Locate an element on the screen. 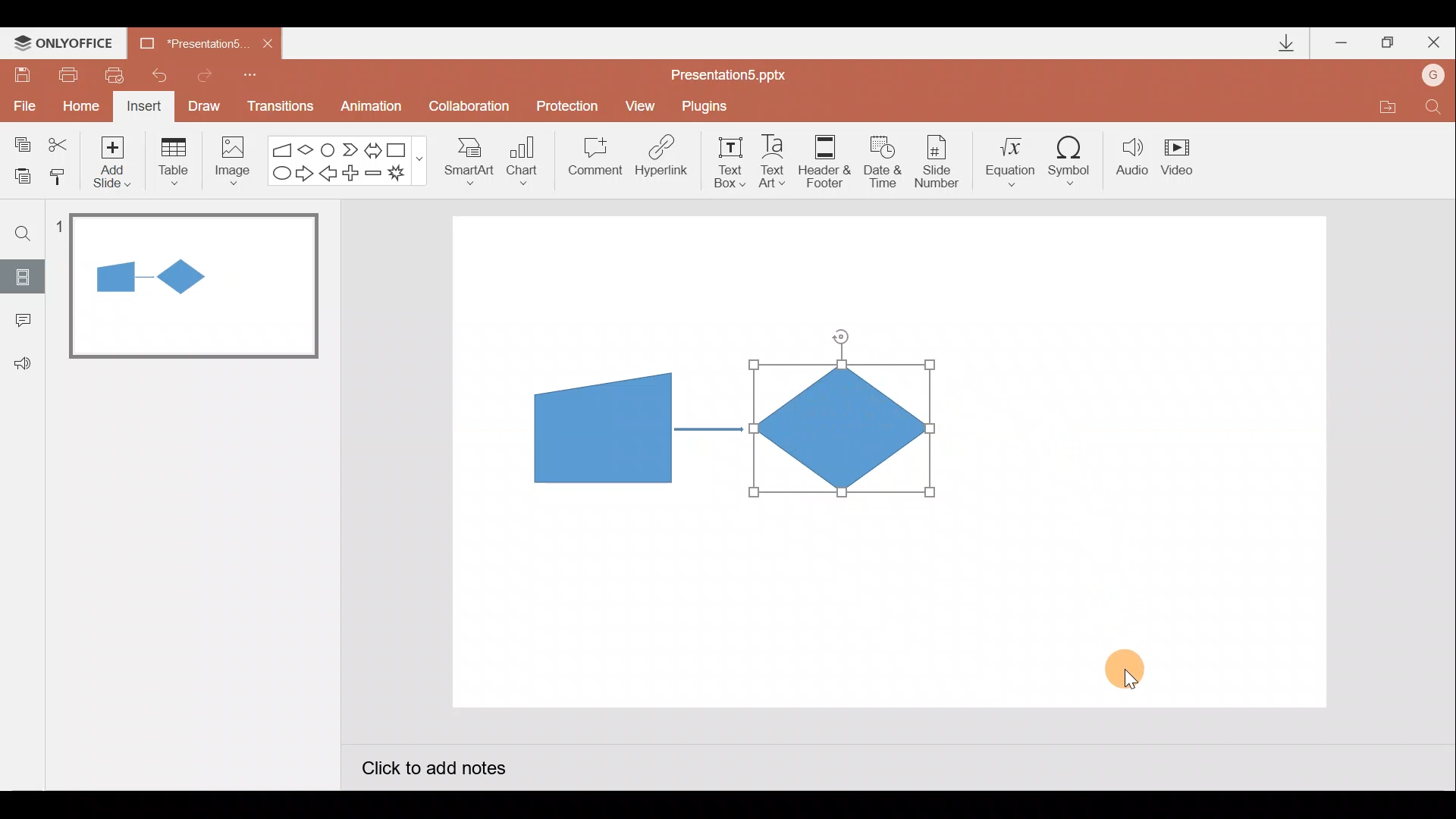 The image size is (1456, 819). SmartArt is located at coordinates (463, 160).